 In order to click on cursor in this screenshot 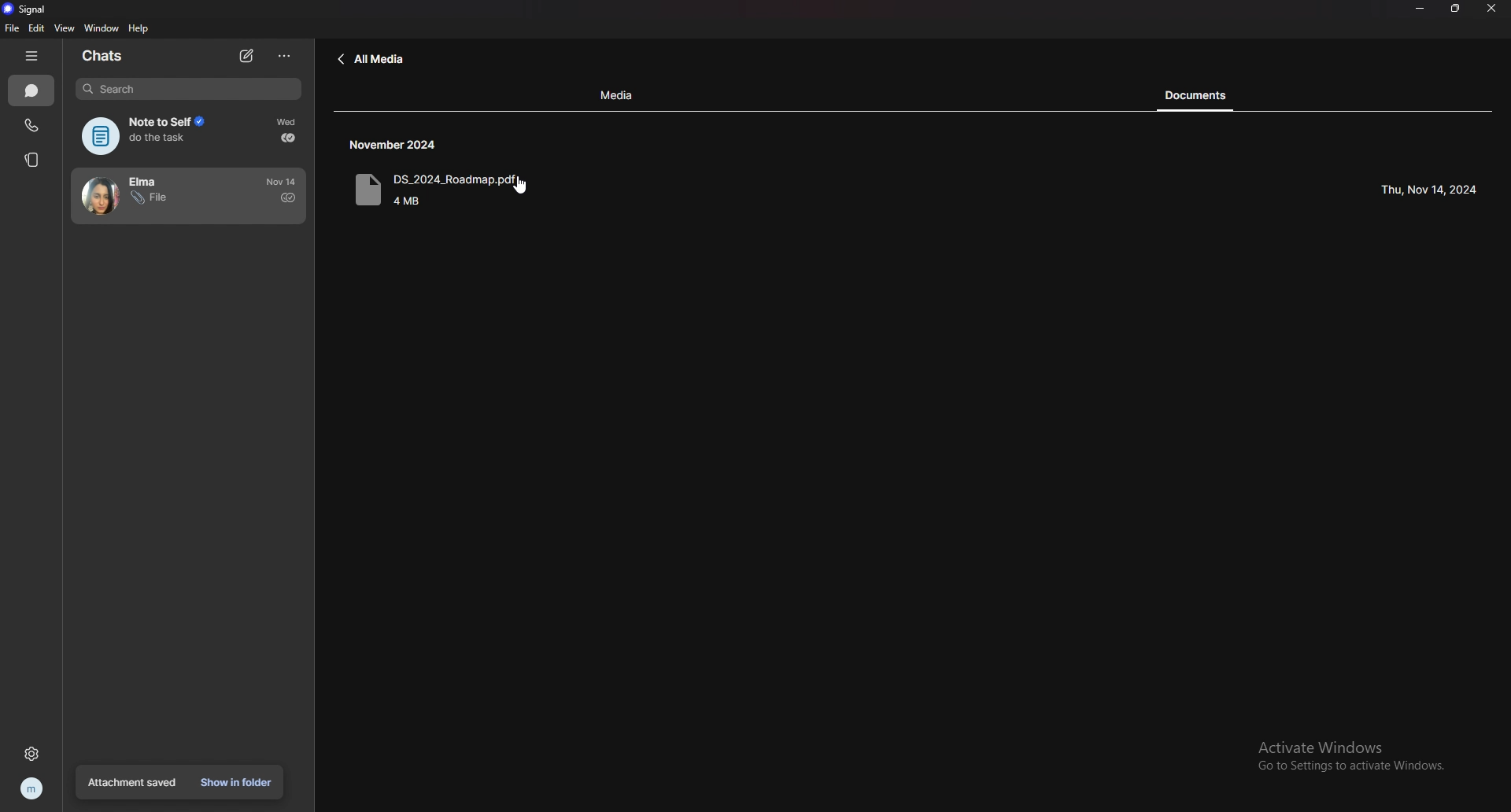, I will do `click(523, 186)`.